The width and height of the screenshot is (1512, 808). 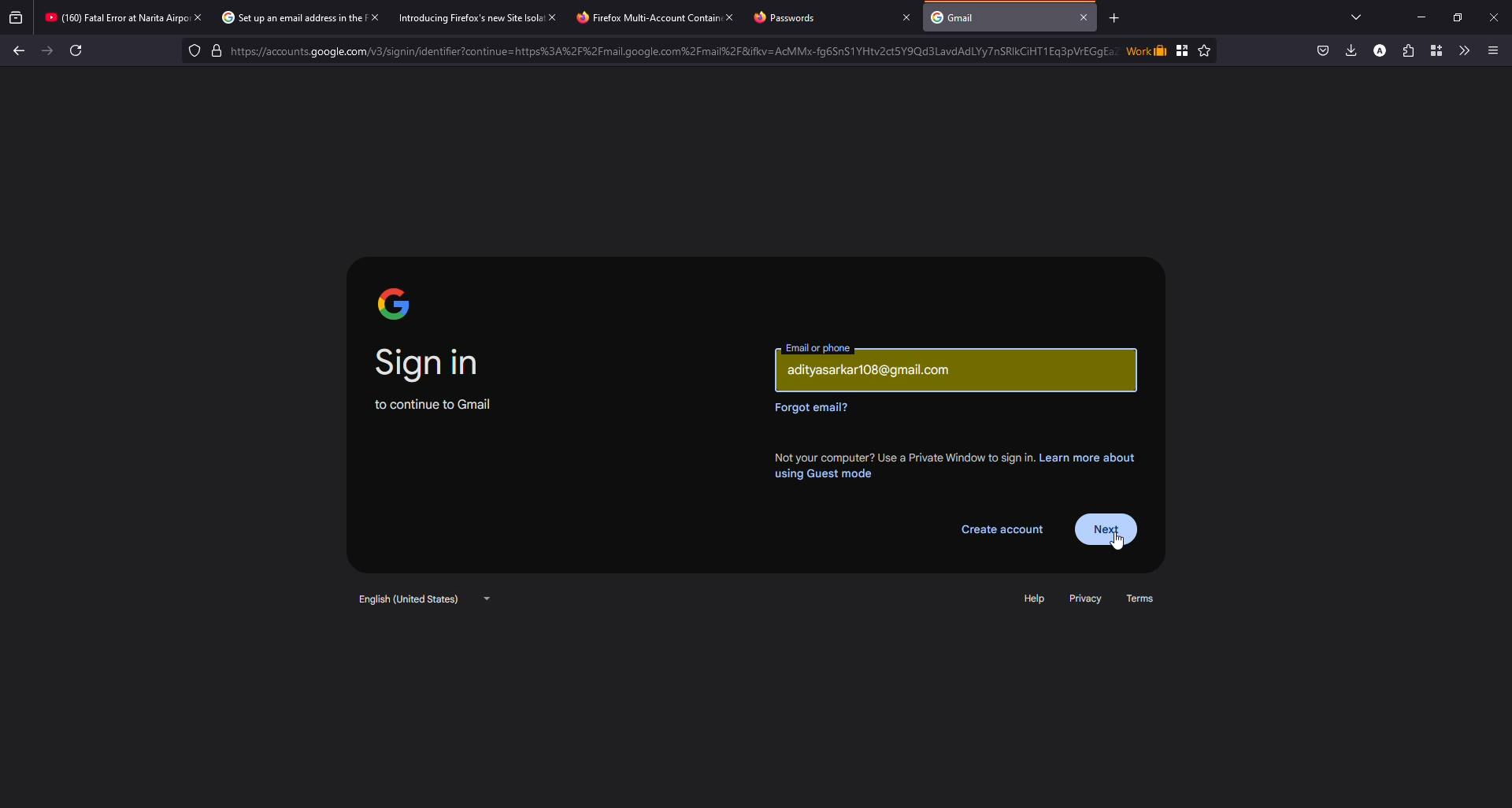 What do you see at coordinates (639, 18) in the screenshot?
I see `Firefox Multi-Account Cont` at bounding box center [639, 18].